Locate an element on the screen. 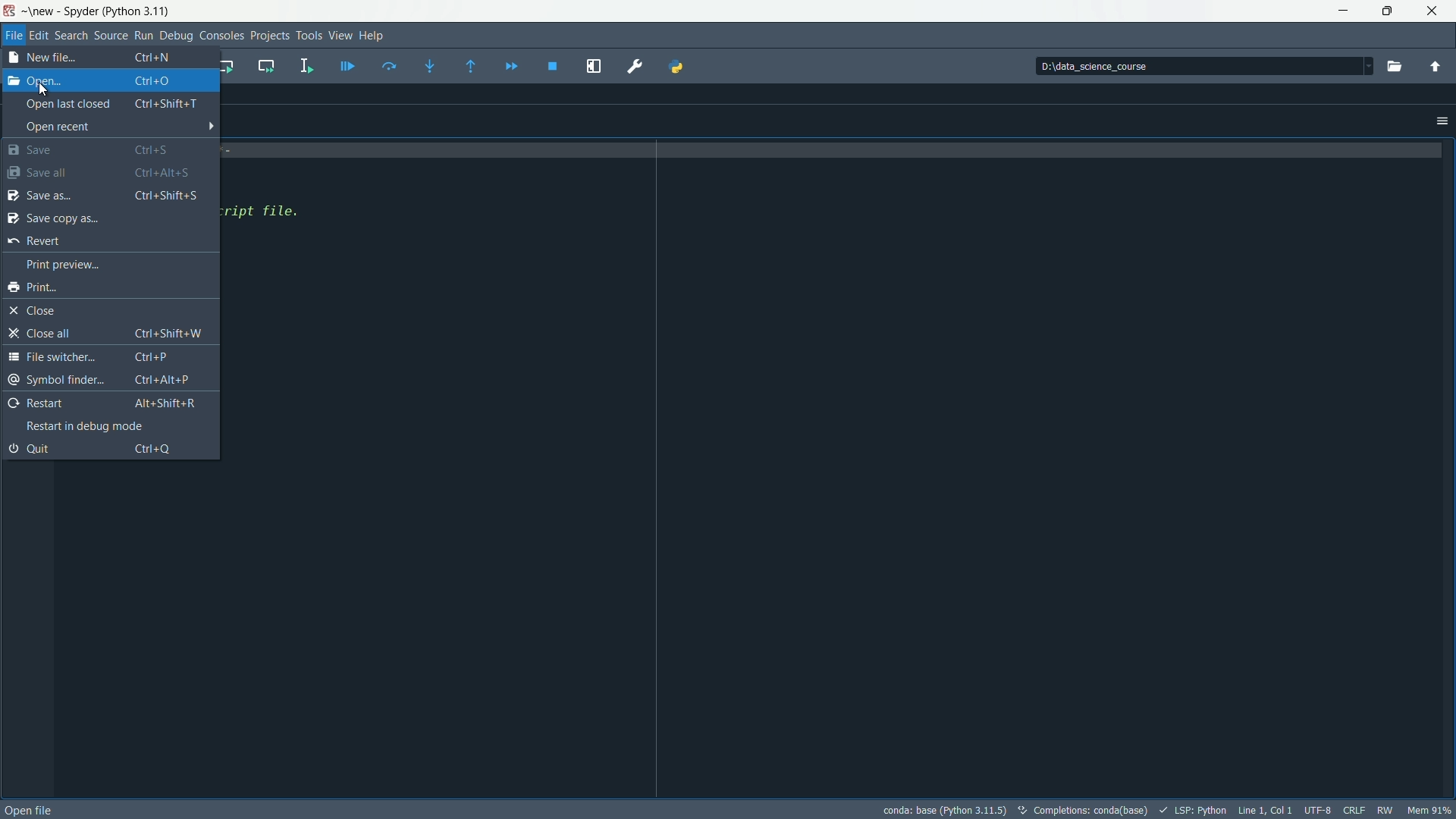  maximize is located at coordinates (1387, 11).